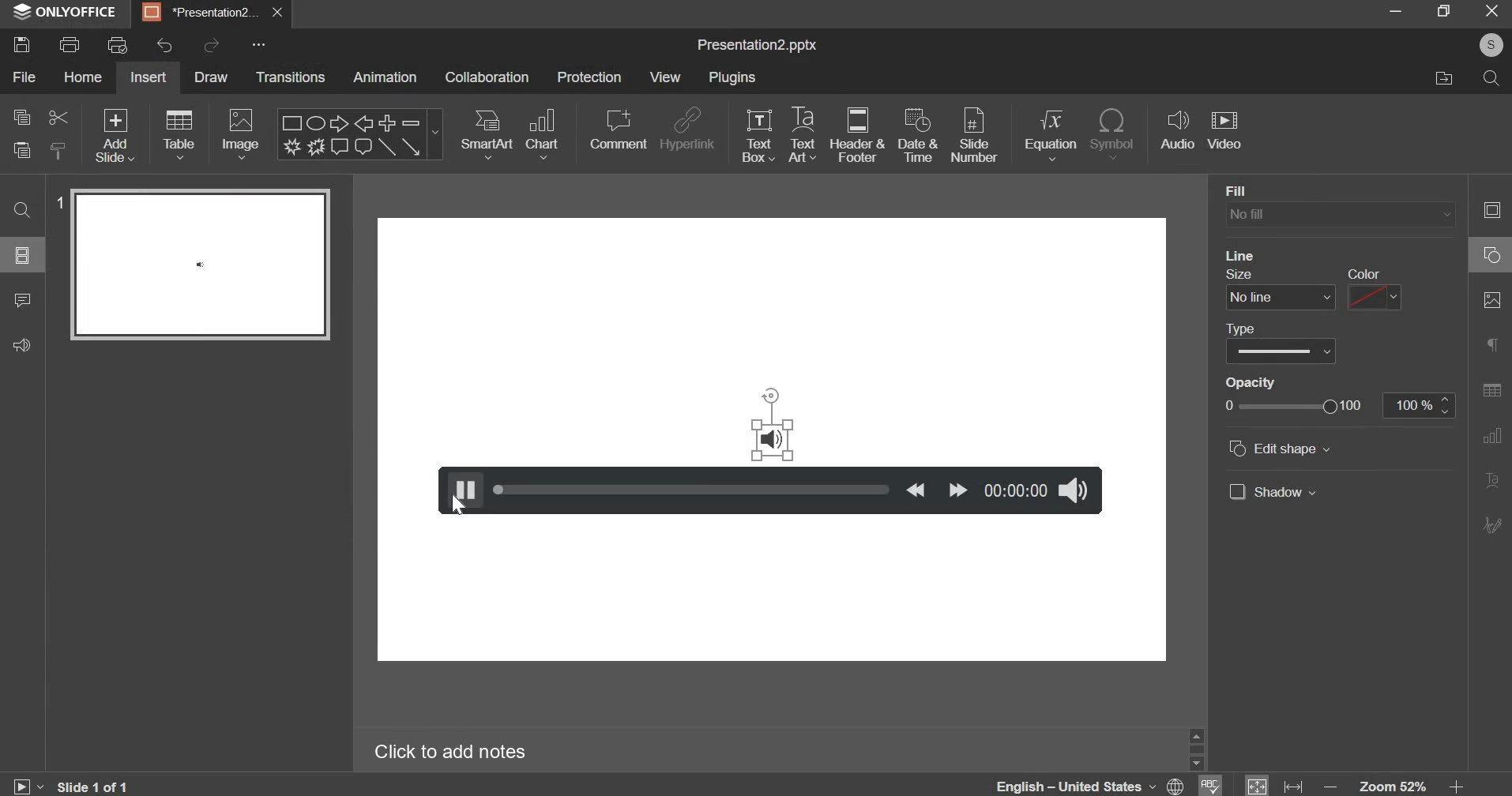 This screenshot has height=796, width=1512. What do you see at coordinates (21, 152) in the screenshot?
I see `paste` at bounding box center [21, 152].